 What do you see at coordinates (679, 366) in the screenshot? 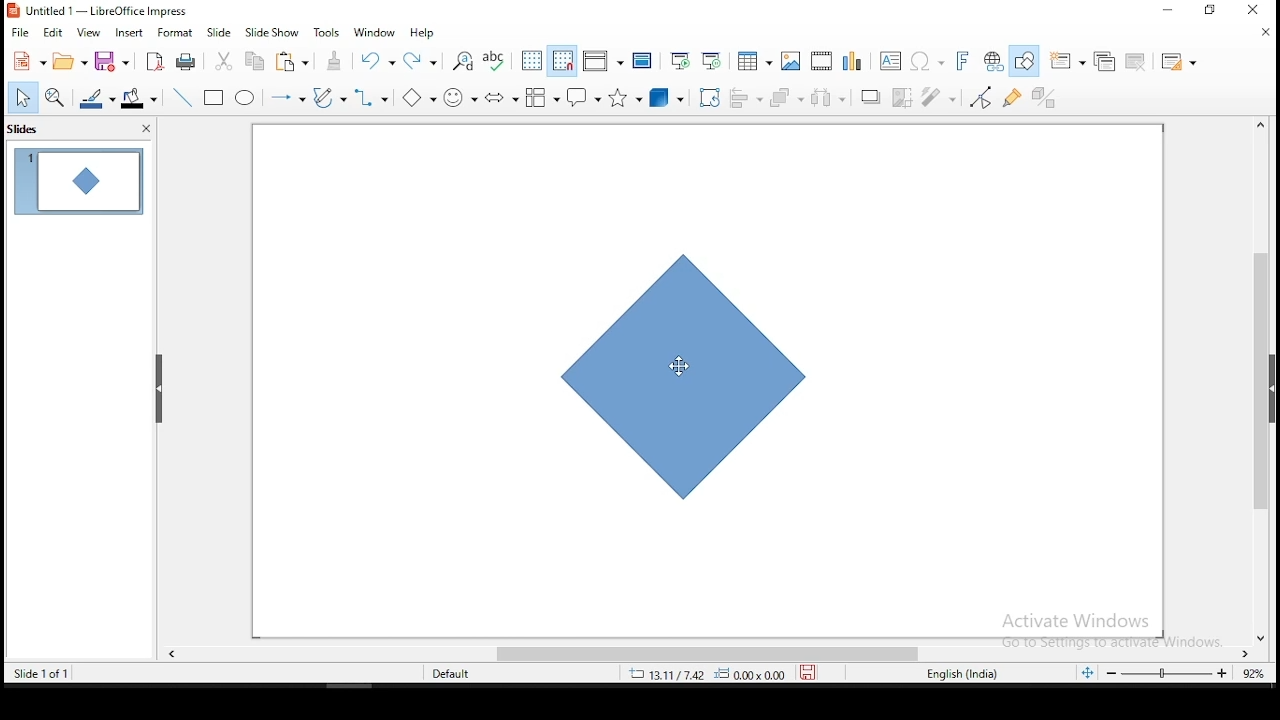
I see `Cursor` at bounding box center [679, 366].